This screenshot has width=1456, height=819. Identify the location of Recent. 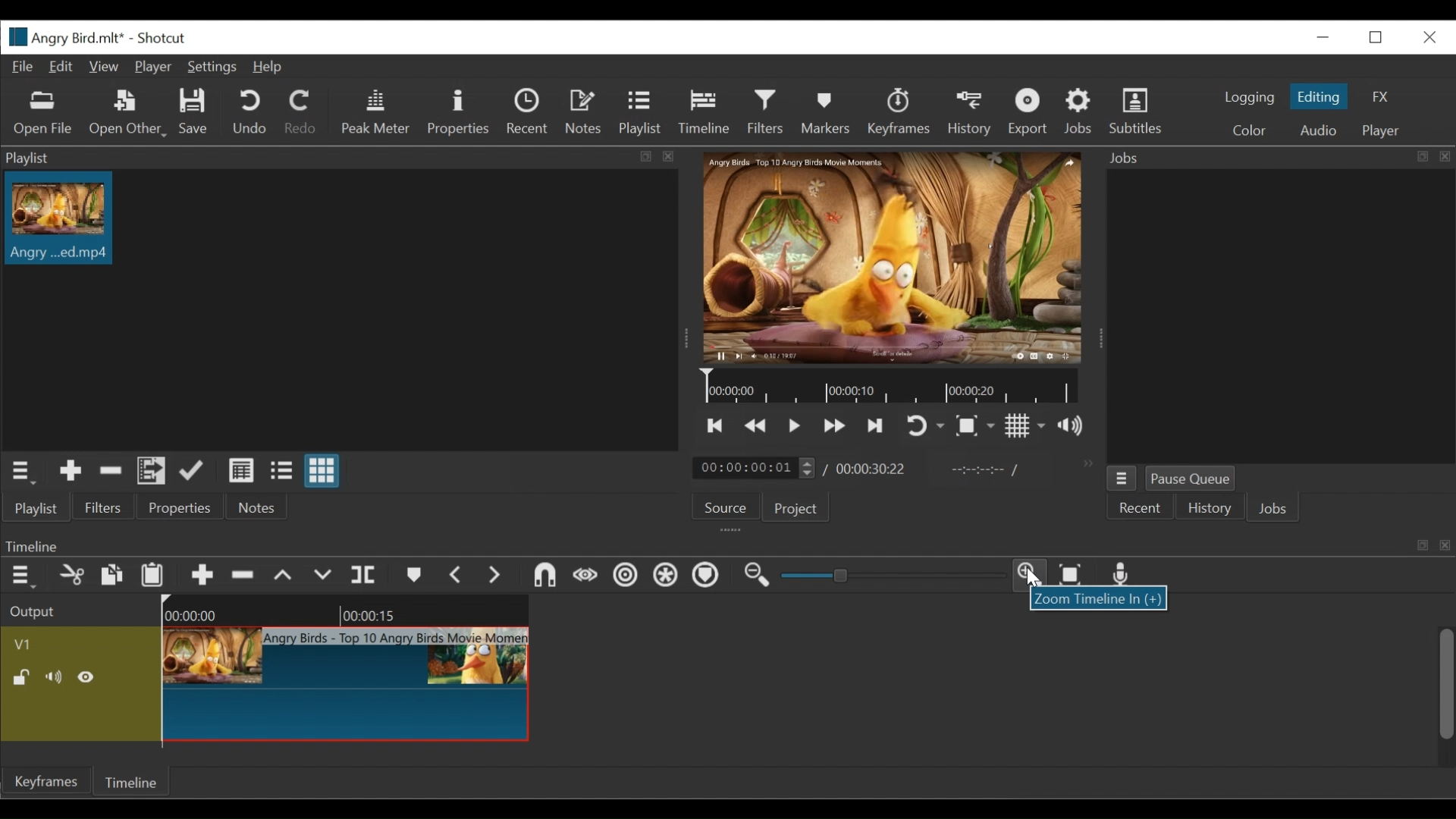
(1139, 507).